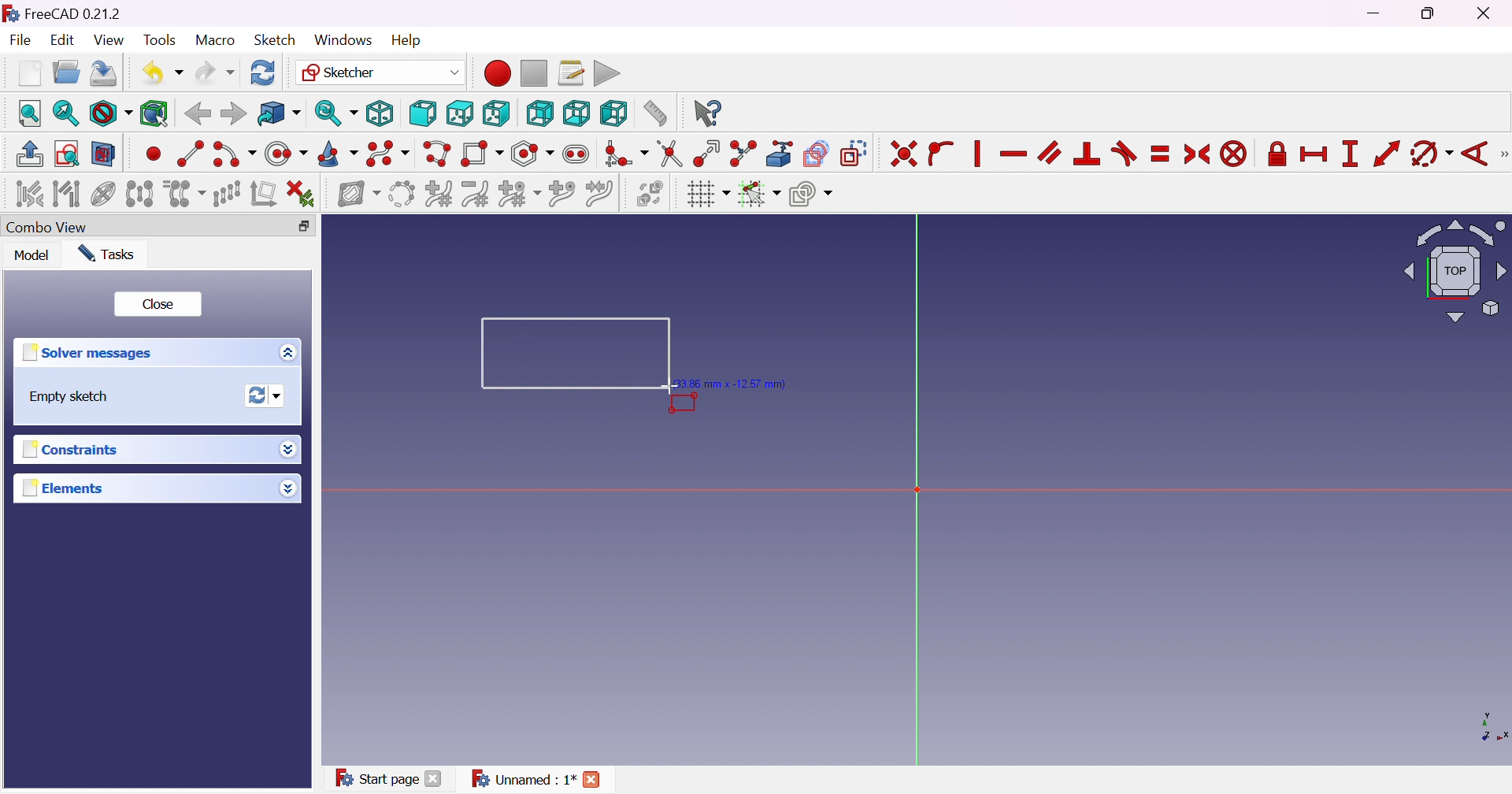  I want to click on Constrain lock, so click(1275, 155).